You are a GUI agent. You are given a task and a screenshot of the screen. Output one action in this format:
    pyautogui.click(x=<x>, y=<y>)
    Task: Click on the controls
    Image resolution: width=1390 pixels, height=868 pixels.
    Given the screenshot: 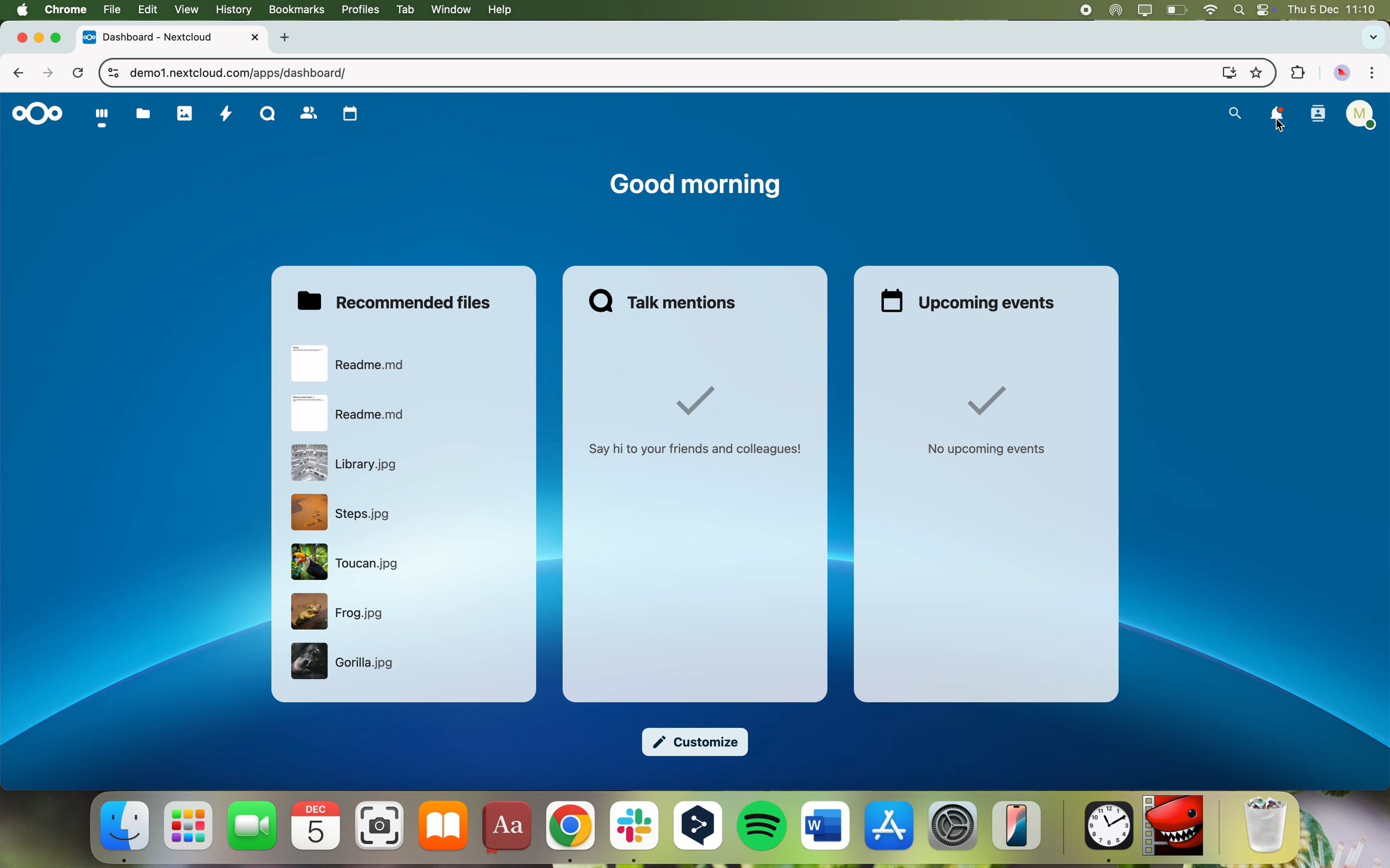 What is the action you would take?
    pyautogui.click(x=1266, y=10)
    